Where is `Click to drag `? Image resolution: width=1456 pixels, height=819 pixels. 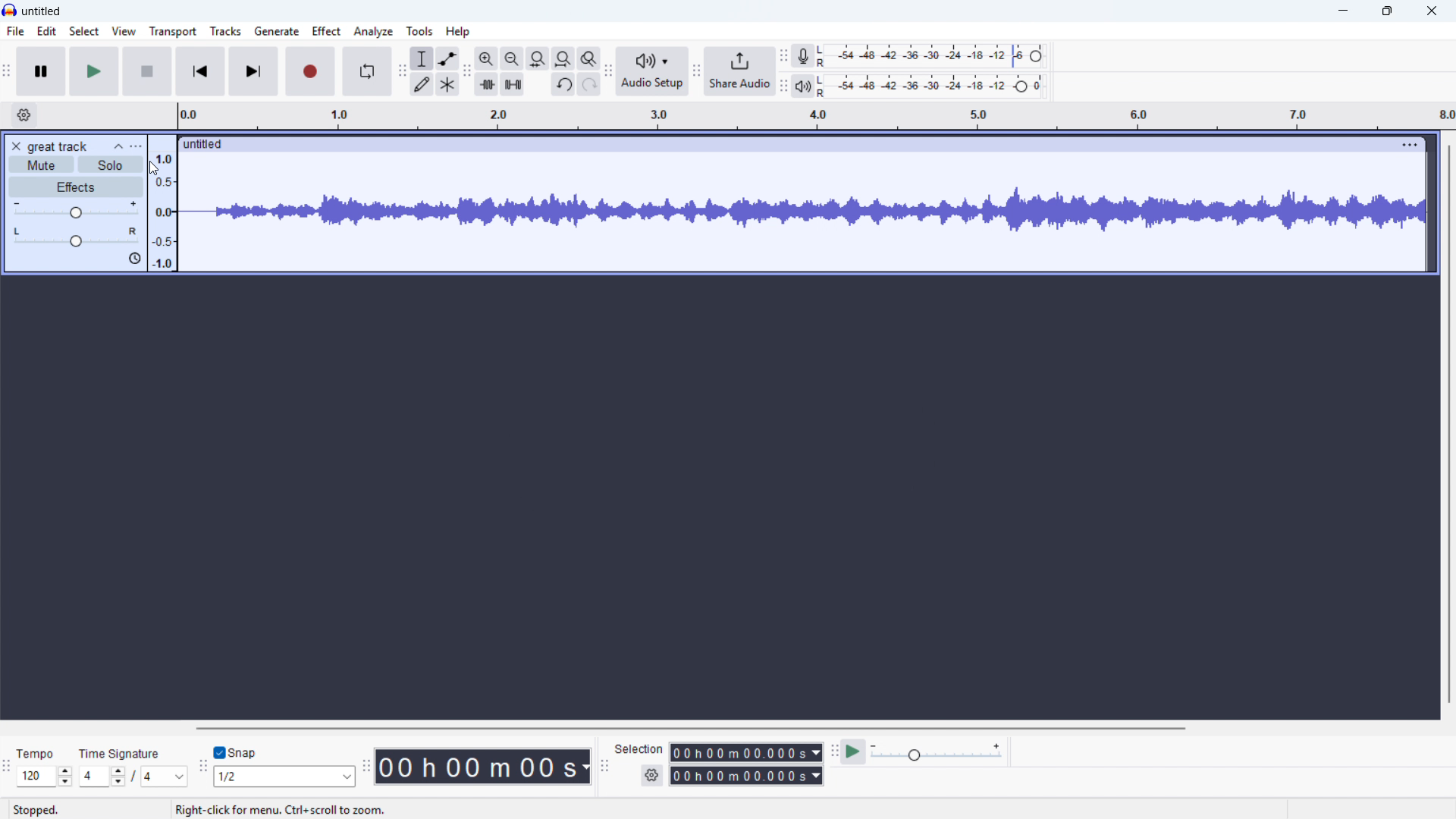 Click to drag  is located at coordinates (785, 145).